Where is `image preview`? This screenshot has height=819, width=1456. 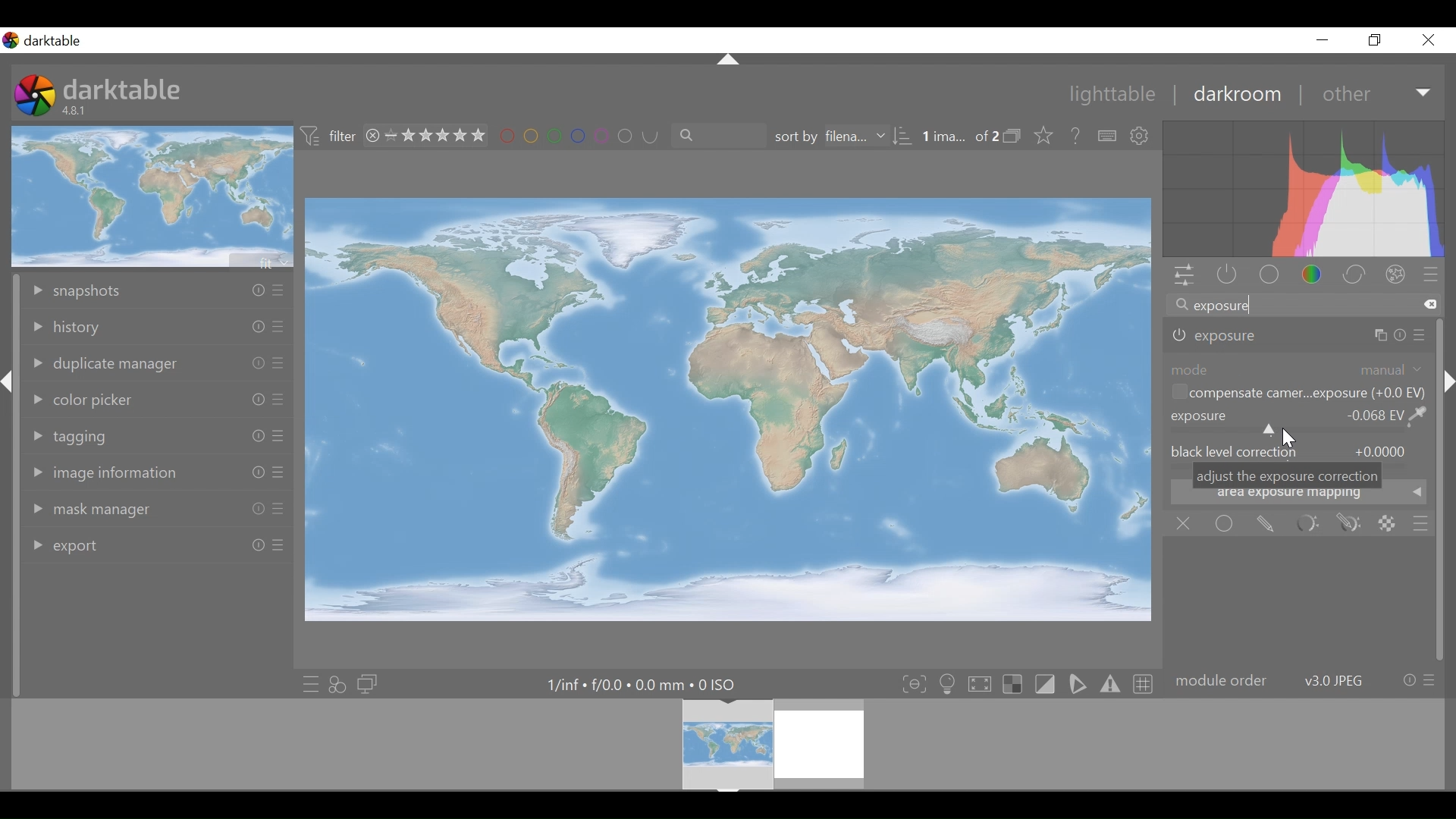 image preview is located at coordinates (152, 196).